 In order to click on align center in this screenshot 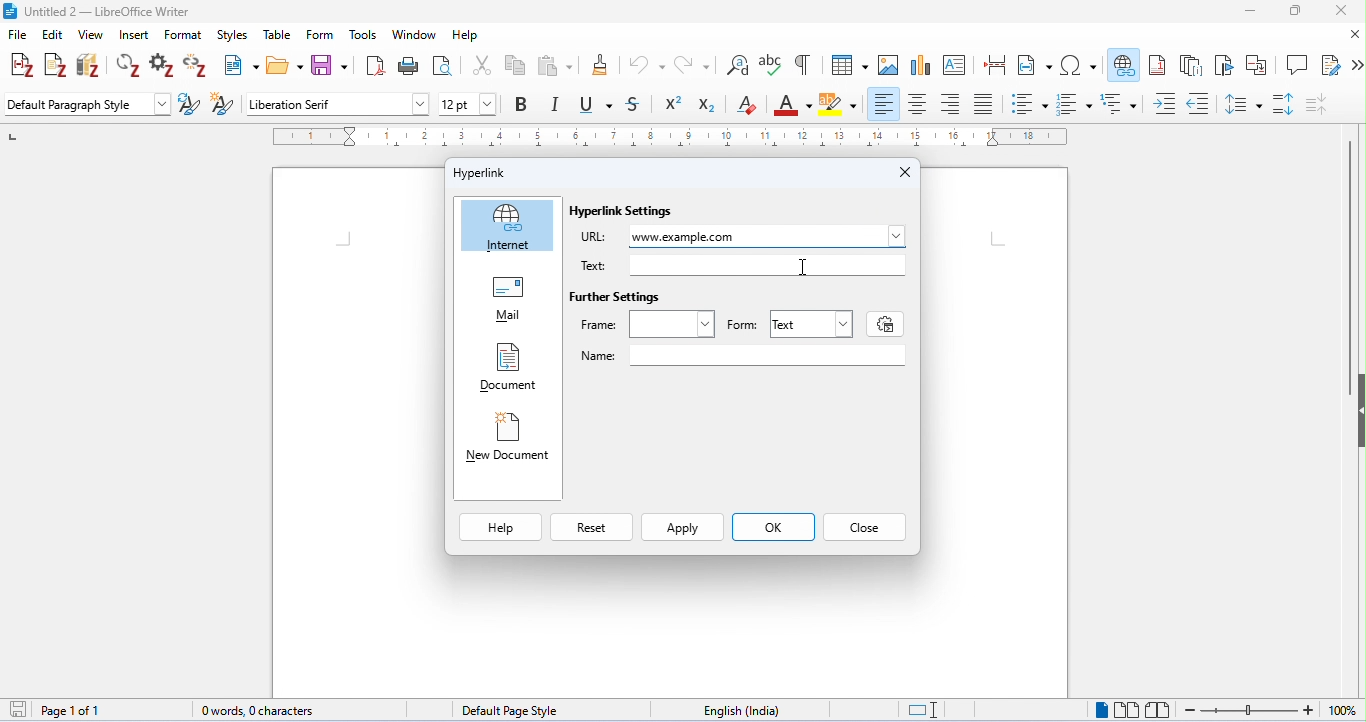, I will do `click(919, 105)`.